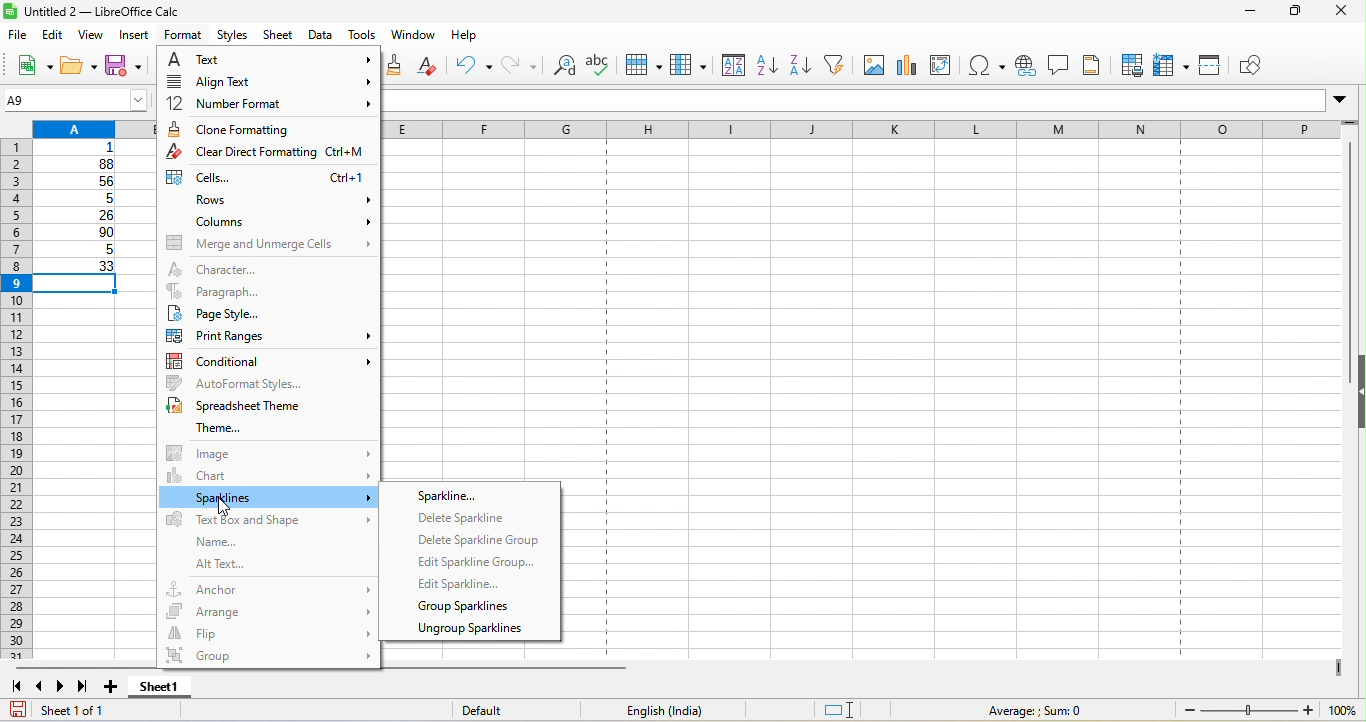  What do you see at coordinates (268, 243) in the screenshot?
I see `merge unmerge cells` at bounding box center [268, 243].